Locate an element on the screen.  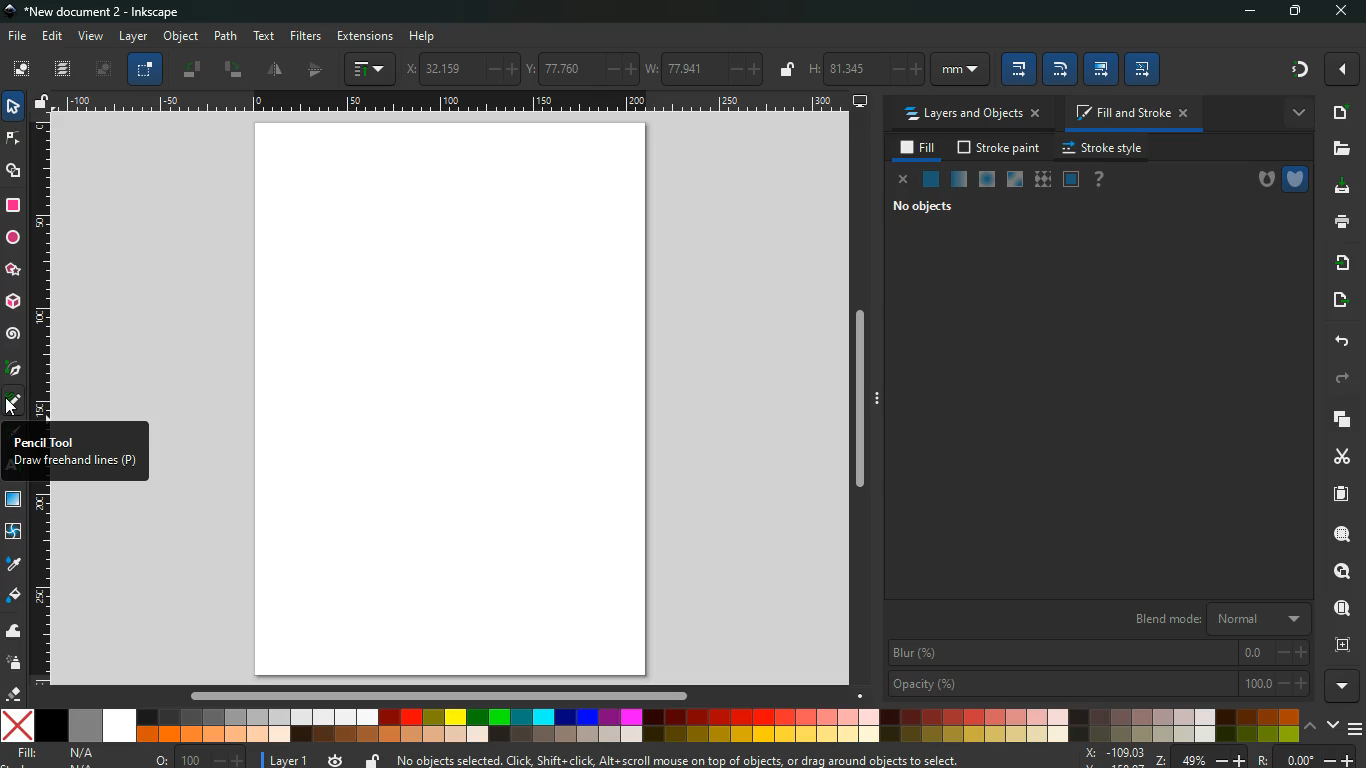
image is located at coordinates (102, 69).